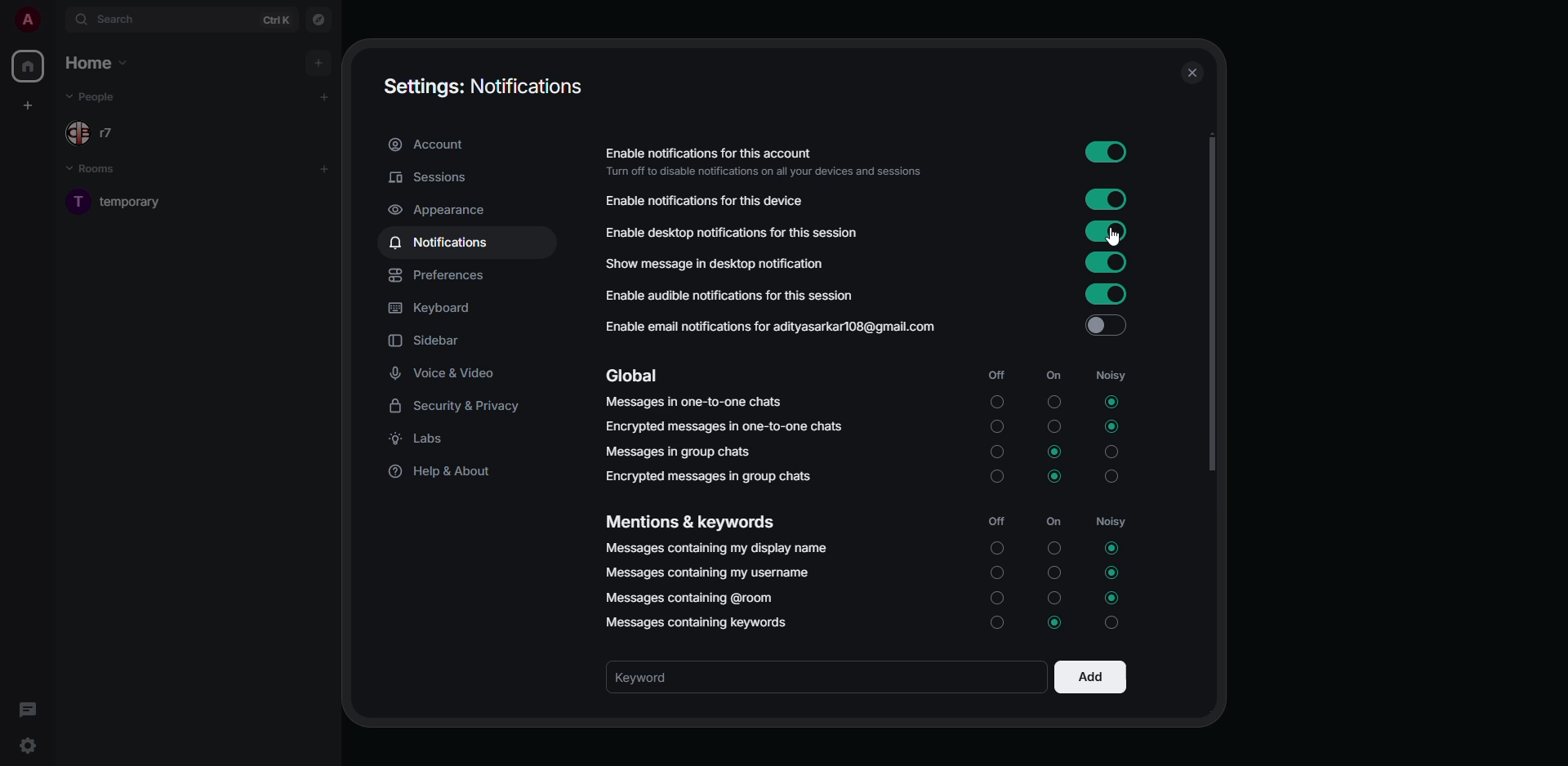 The image size is (1568, 766). Describe the element at coordinates (27, 19) in the screenshot. I see `profile` at that location.